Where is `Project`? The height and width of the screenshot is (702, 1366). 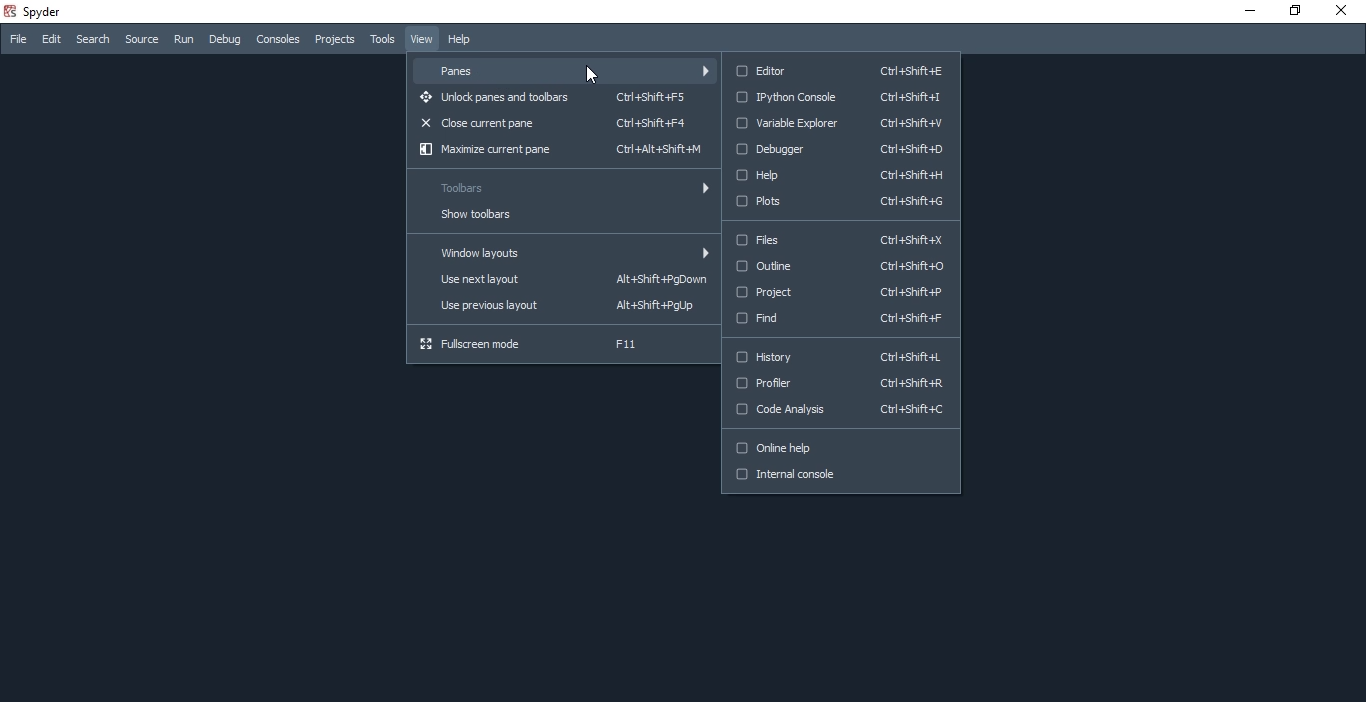
Project is located at coordinates (840, 292).